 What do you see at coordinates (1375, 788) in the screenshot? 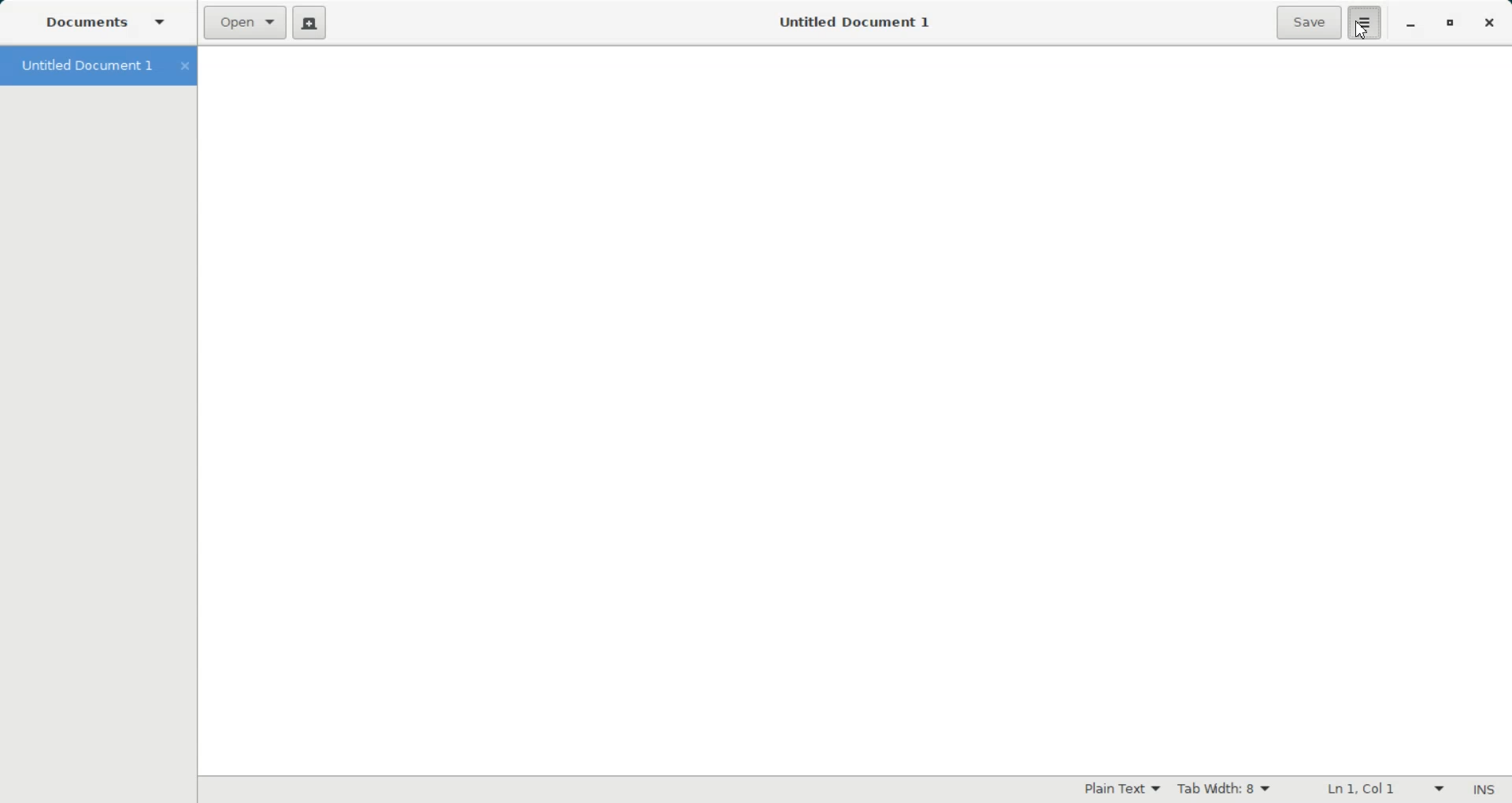
I see `Line Column` at bounding box center [1375, 788].